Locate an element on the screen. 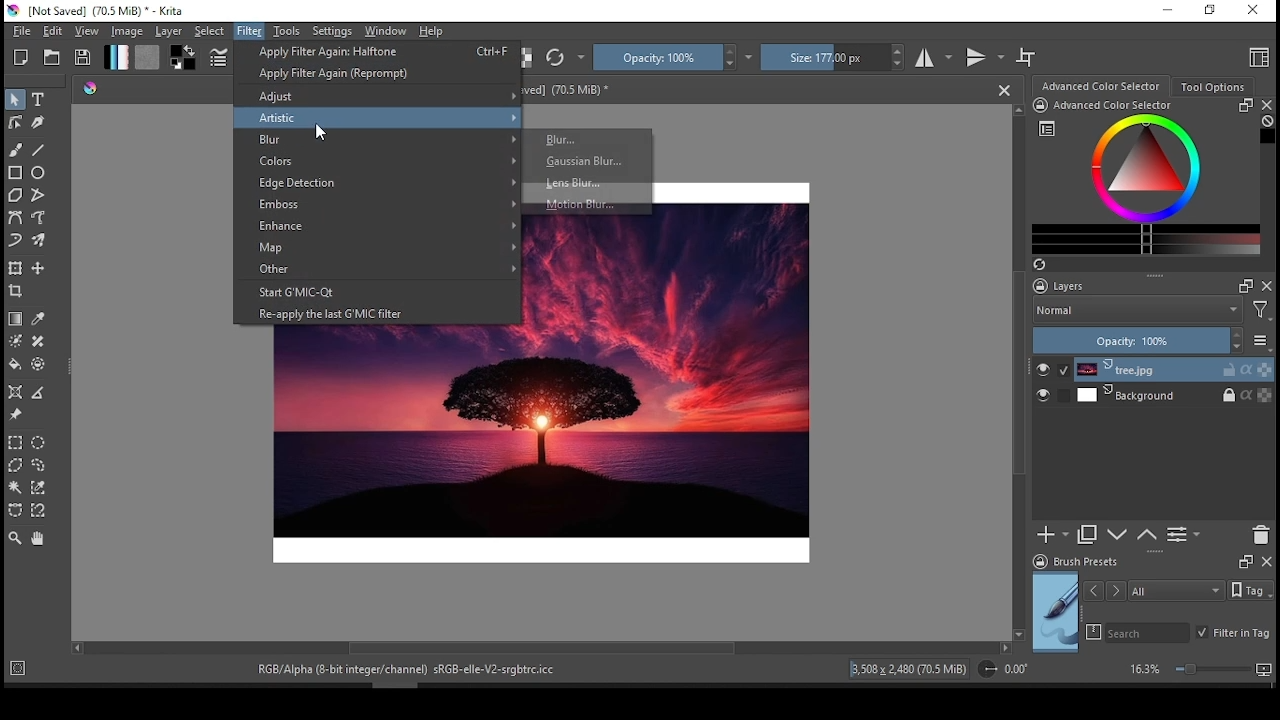  horizontal mirror mode is located at coordinates (933, 56).